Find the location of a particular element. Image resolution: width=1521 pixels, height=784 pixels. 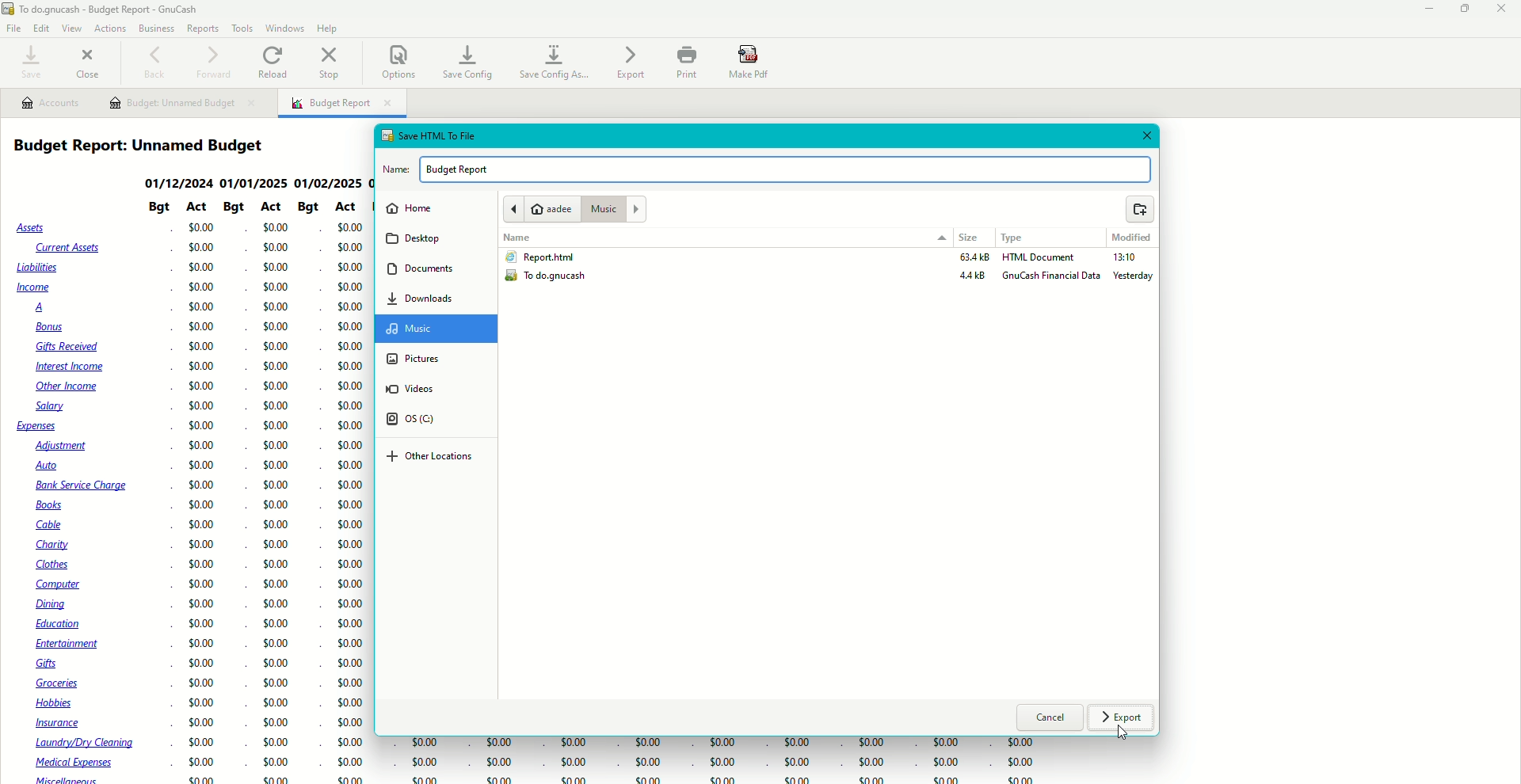

Values is located at coordinates (270, 503).